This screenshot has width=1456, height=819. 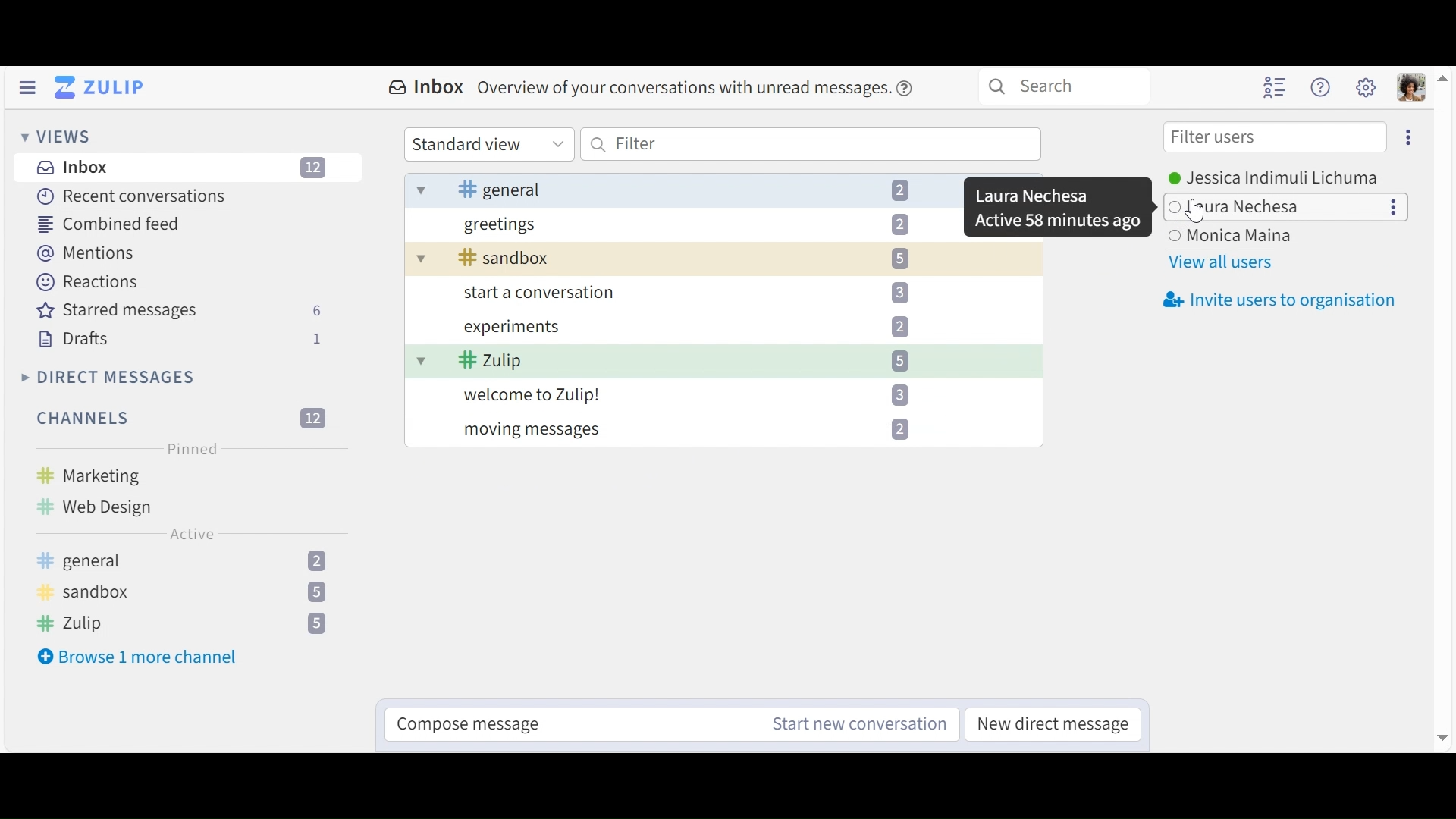 I want to click on general, so click(x=182, y=560).